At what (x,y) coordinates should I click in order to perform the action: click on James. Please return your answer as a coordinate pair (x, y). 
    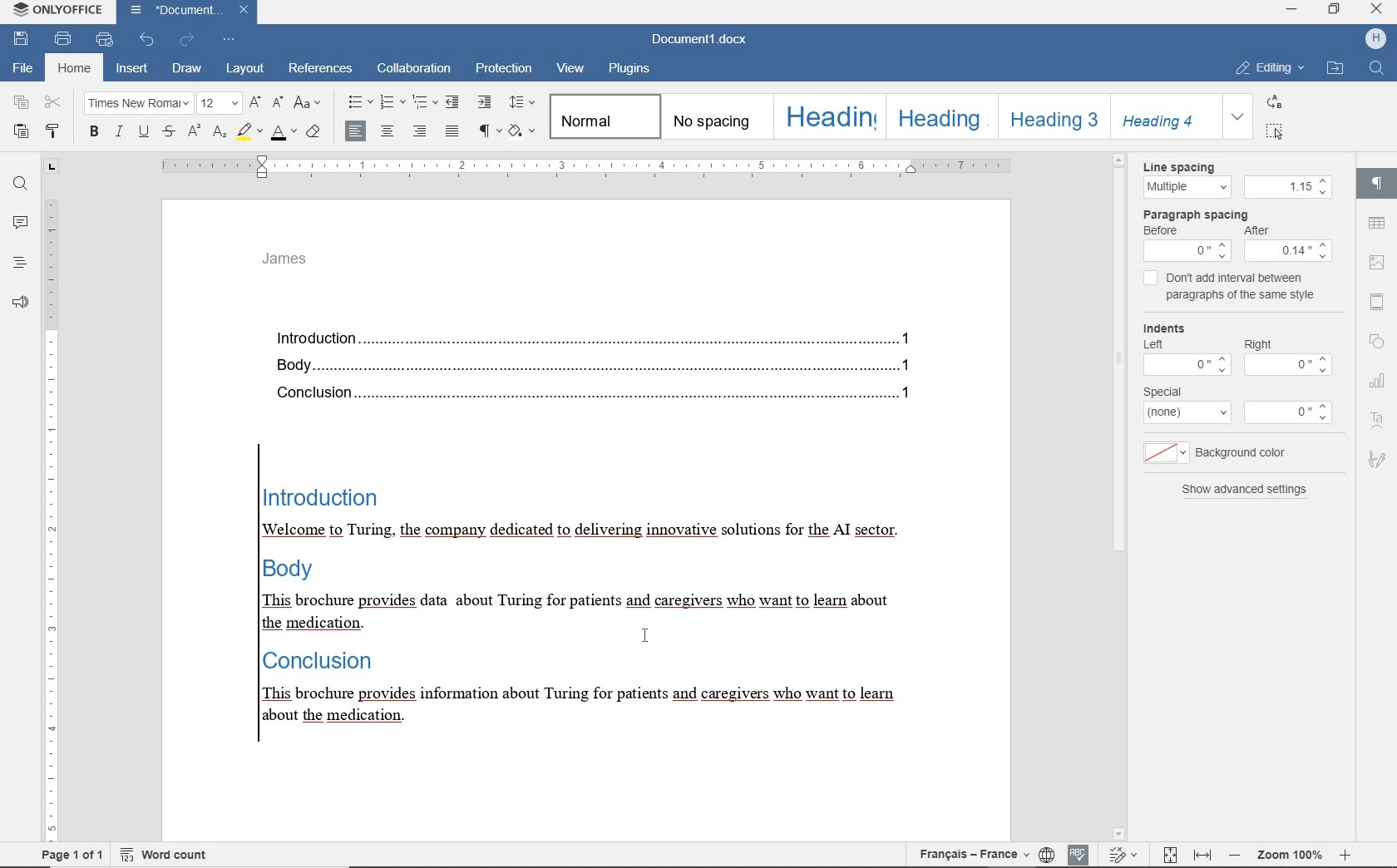
    Looking at the image, I should click on (297, 263).